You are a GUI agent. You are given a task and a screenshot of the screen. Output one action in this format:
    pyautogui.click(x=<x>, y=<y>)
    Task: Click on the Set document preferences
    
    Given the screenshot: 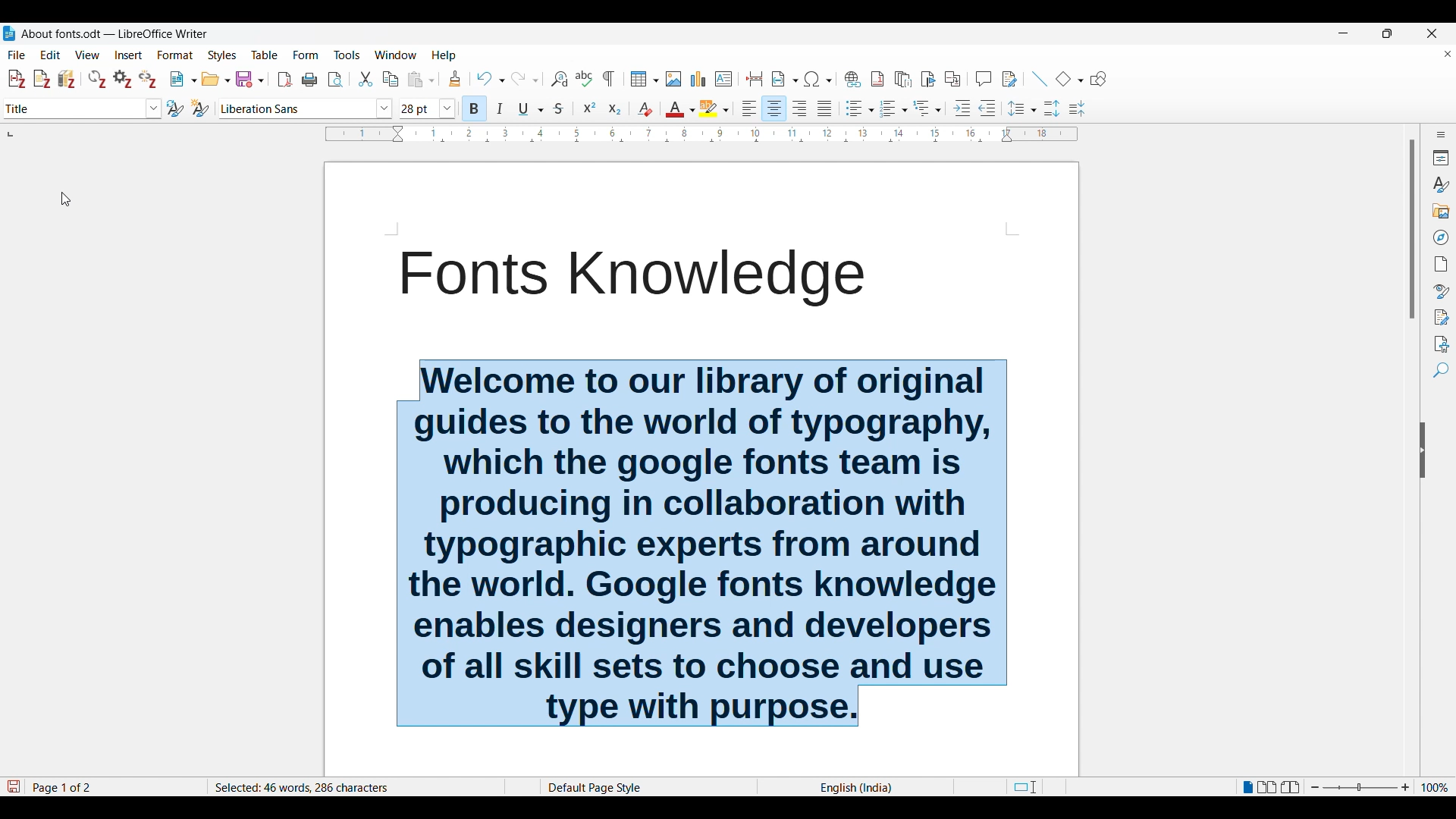 What is the action you would take?
    pyautogui.click(x=123, y=79)
    